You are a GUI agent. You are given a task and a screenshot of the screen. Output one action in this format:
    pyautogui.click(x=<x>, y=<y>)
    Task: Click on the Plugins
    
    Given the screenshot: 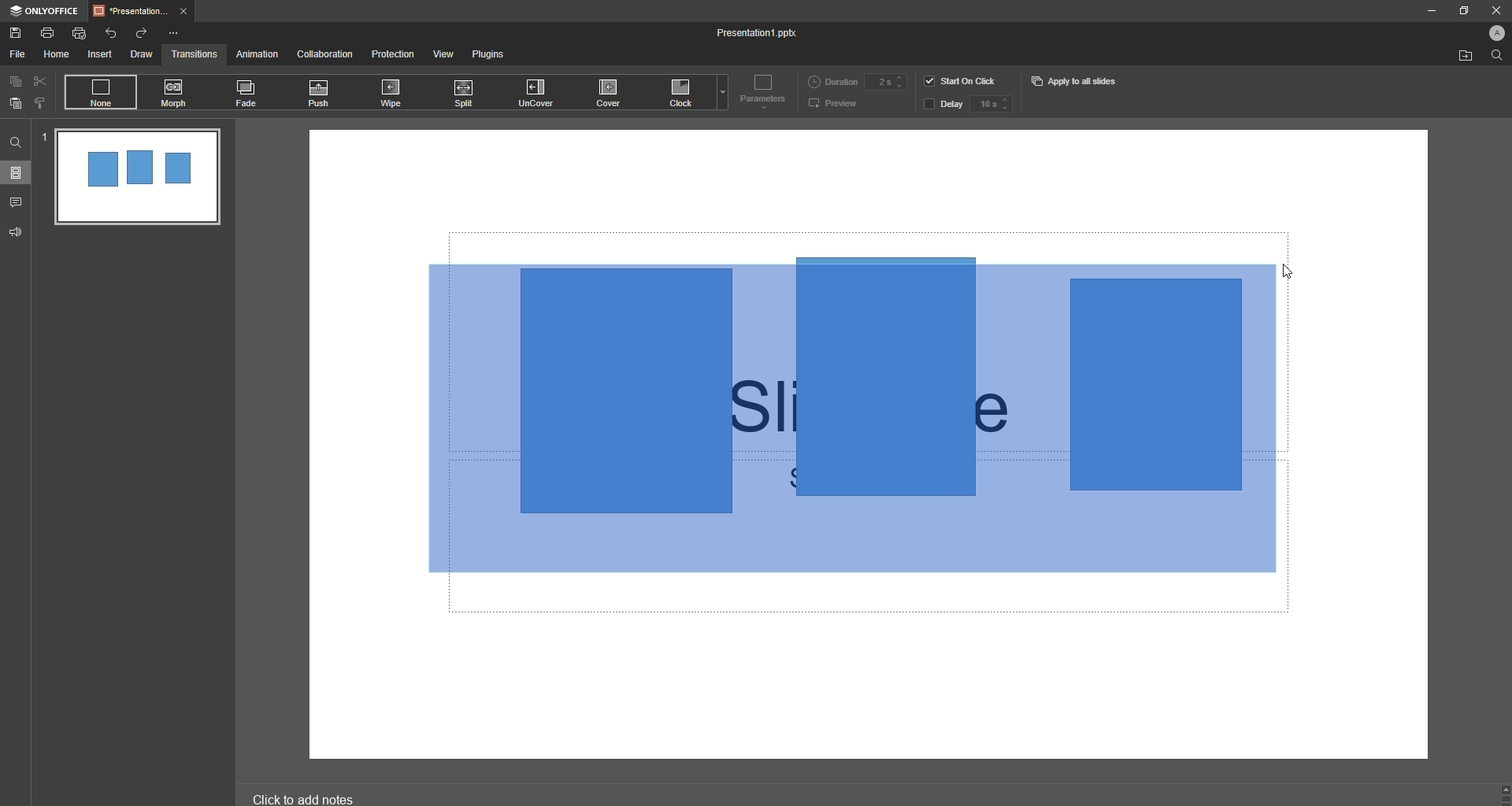 What is the action you would take?
    pyautogui.click(x=491, y=57)
    